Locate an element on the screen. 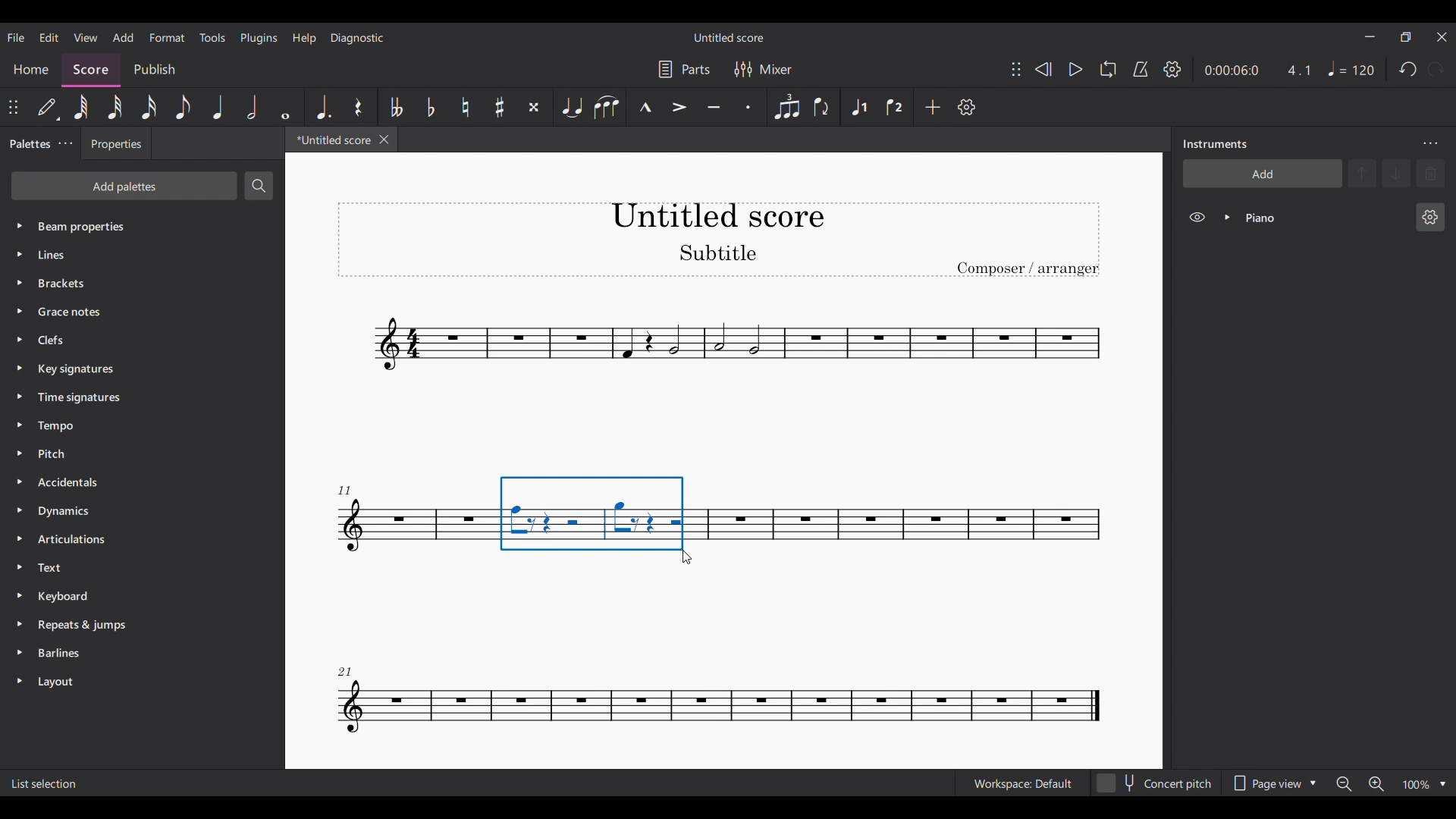 The height and width of the screenshot is (819, 1456). Quarter note is located at coordinates (218, 107).